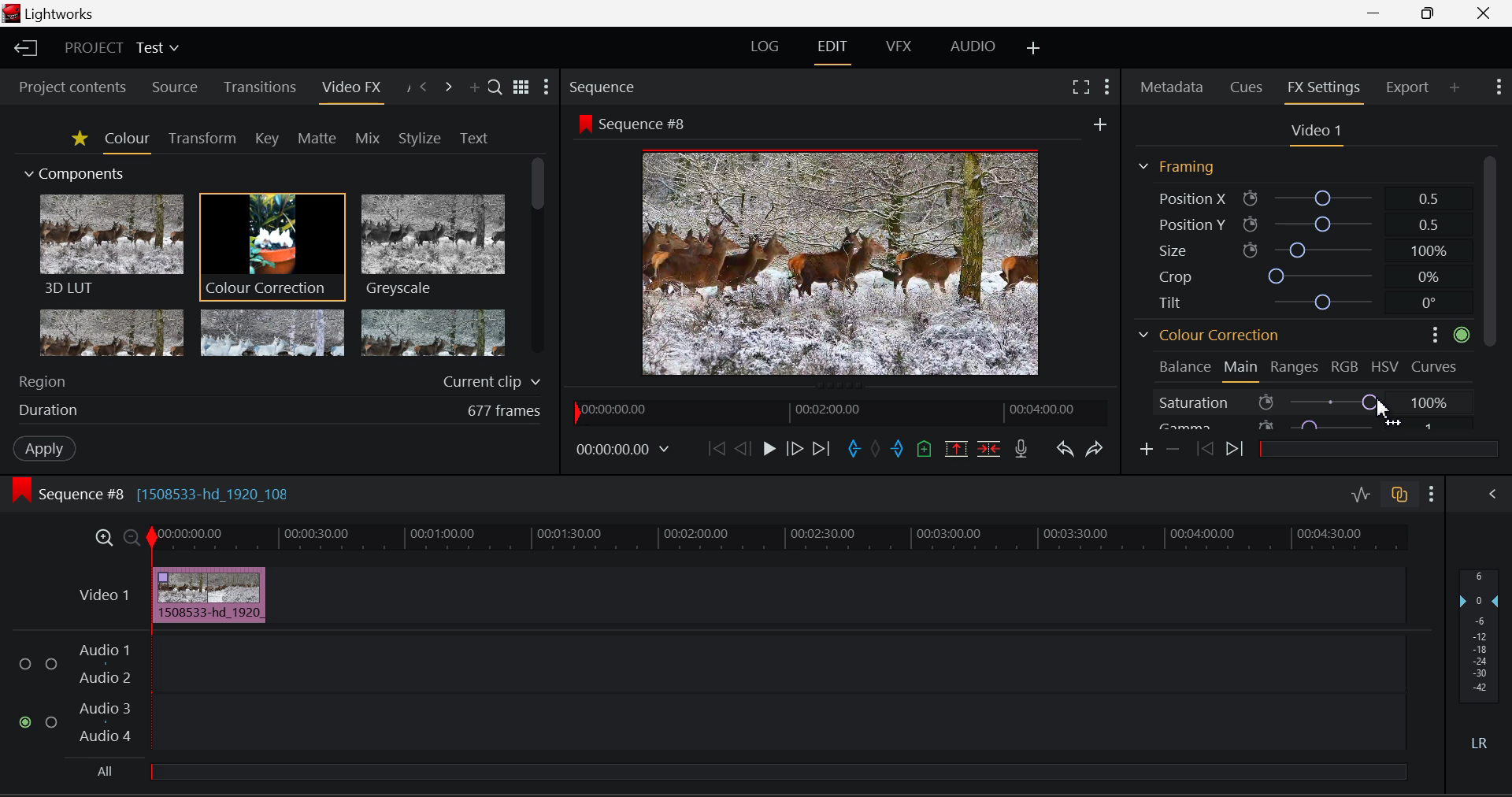  I want to click on Transform, so click(202, 139).